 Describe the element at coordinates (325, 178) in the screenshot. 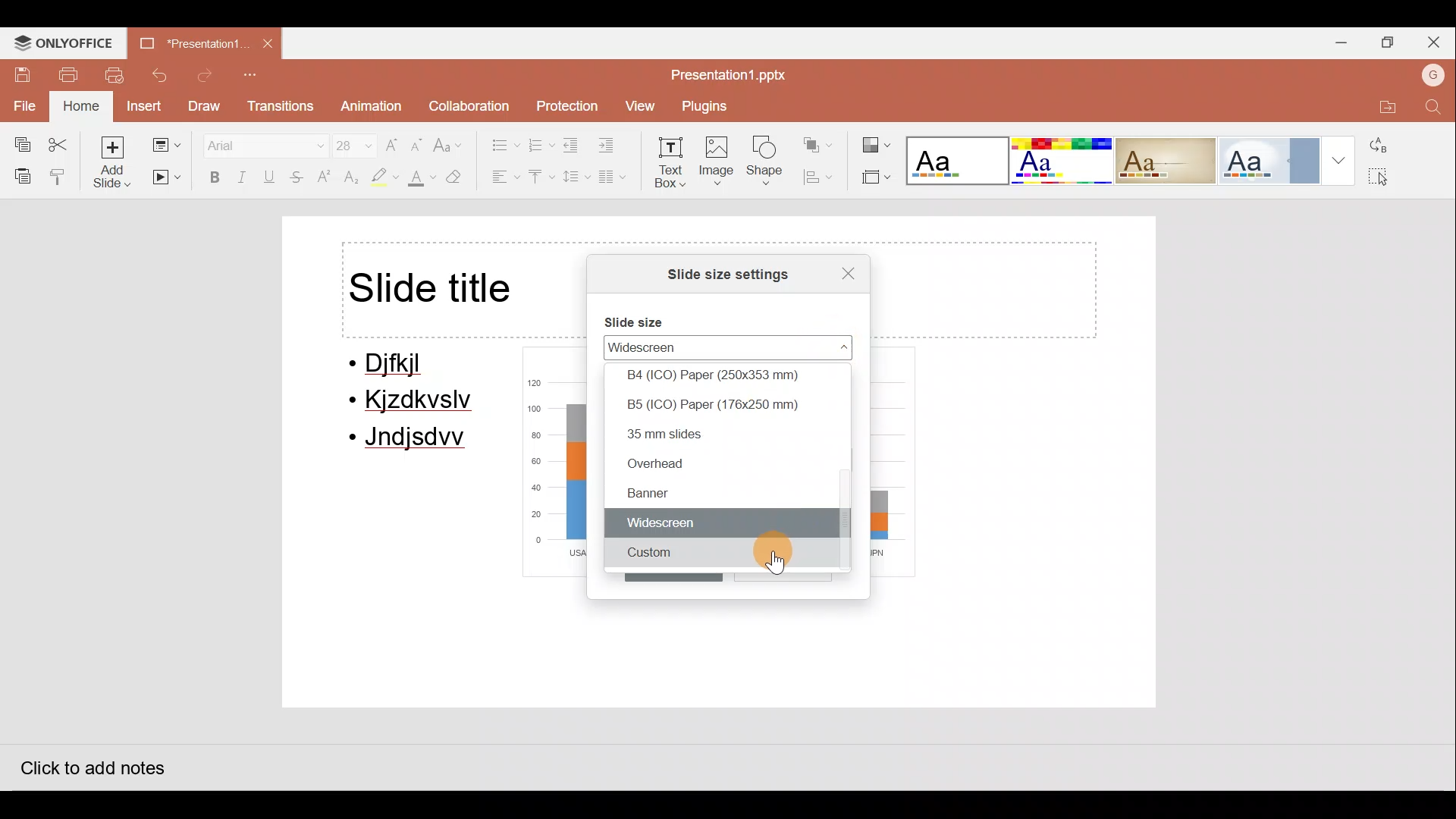

I see `Superscript` at that location.